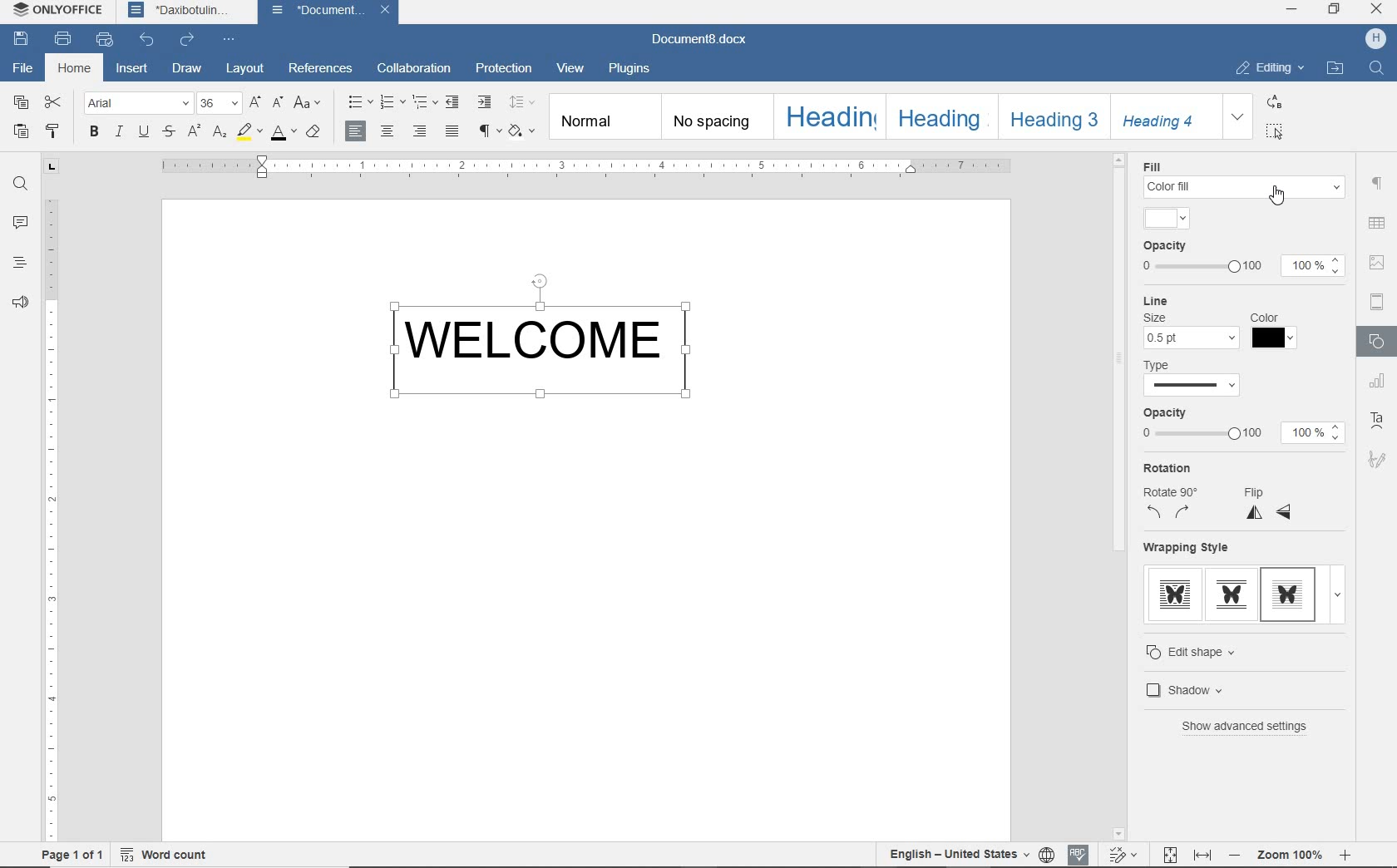 The width and height of the screenshot is (1397, 868). What do you see at coordinates (1162, 116) in the screenshot?
I see `HEADING 4` at bounding box center [1162, 116].